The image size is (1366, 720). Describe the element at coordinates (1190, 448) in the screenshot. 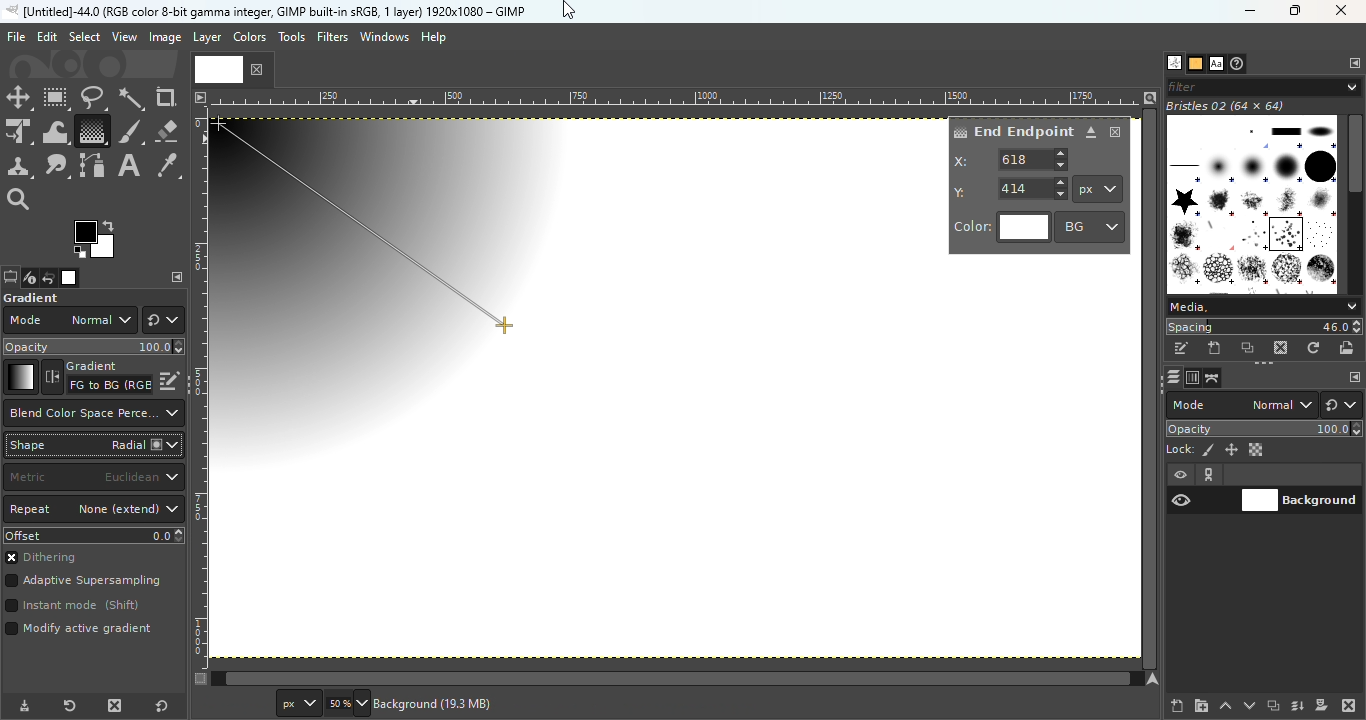

I see `Lock pixels` at that location.